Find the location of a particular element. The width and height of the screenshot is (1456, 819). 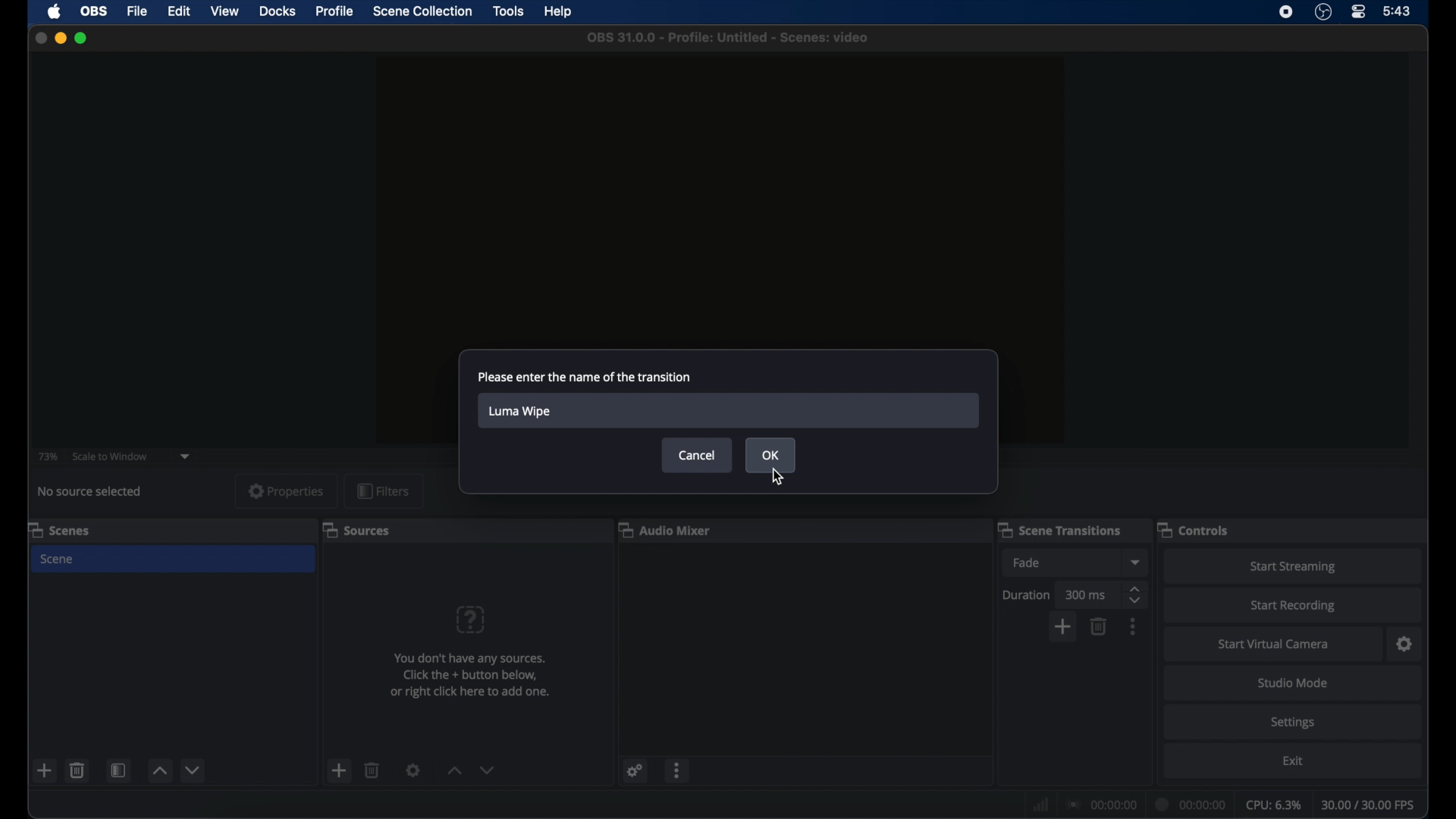

cursor is located at coordinates (780, 478).